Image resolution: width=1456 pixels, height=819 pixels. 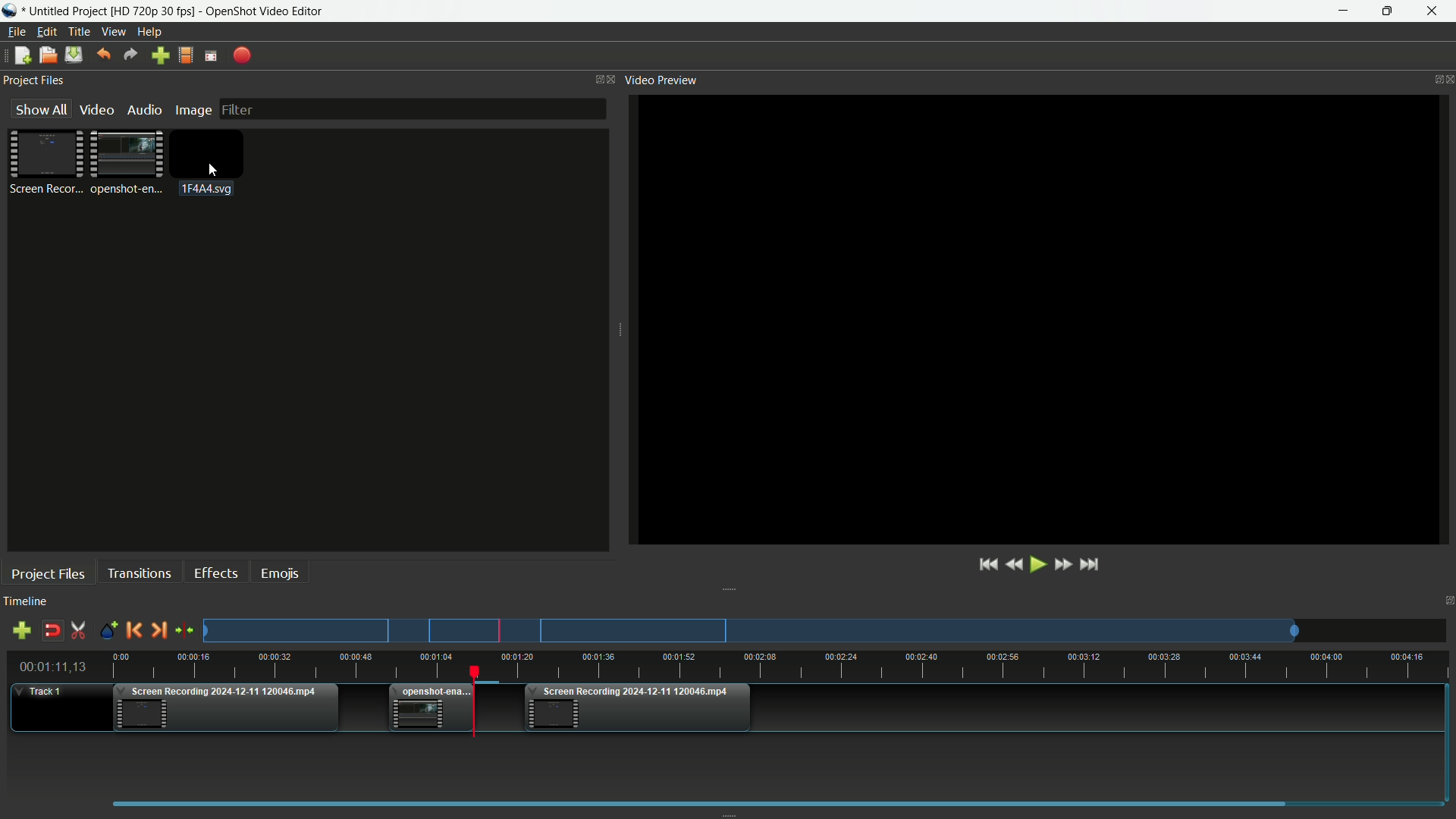 I want to click on Disable snap, so click(x=54, y=631).